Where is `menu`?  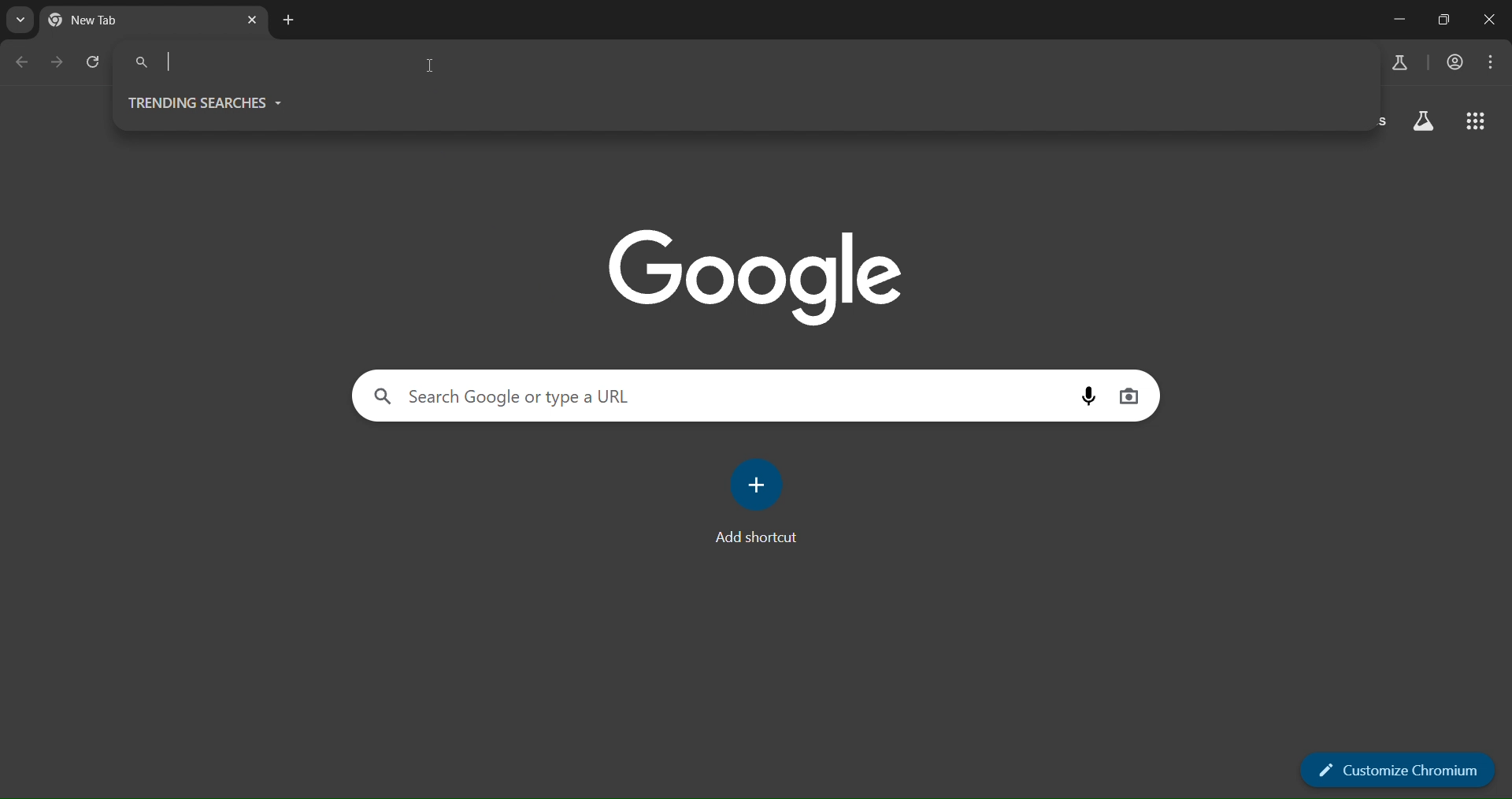
menu is located at coordinates (1494, 61).